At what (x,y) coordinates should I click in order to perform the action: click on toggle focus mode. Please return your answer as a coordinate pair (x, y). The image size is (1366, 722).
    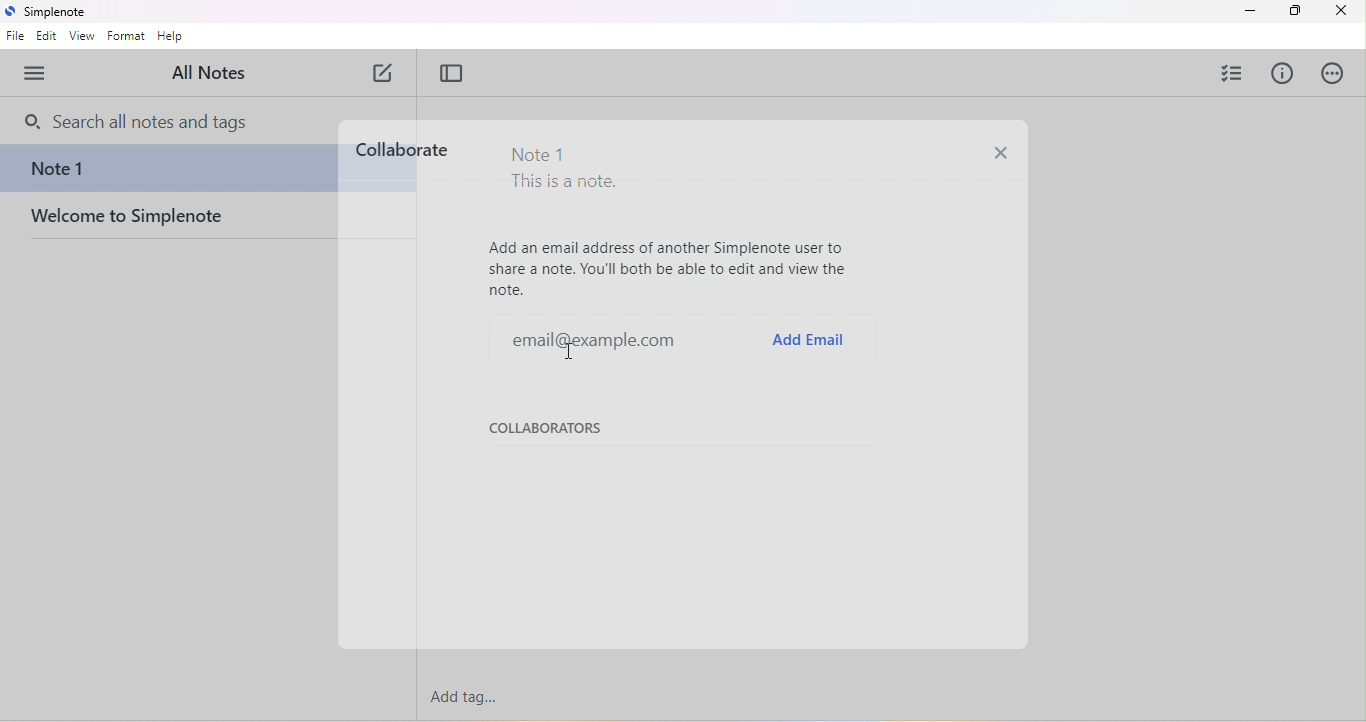
    Looking at the image, I should click on (452, 74).